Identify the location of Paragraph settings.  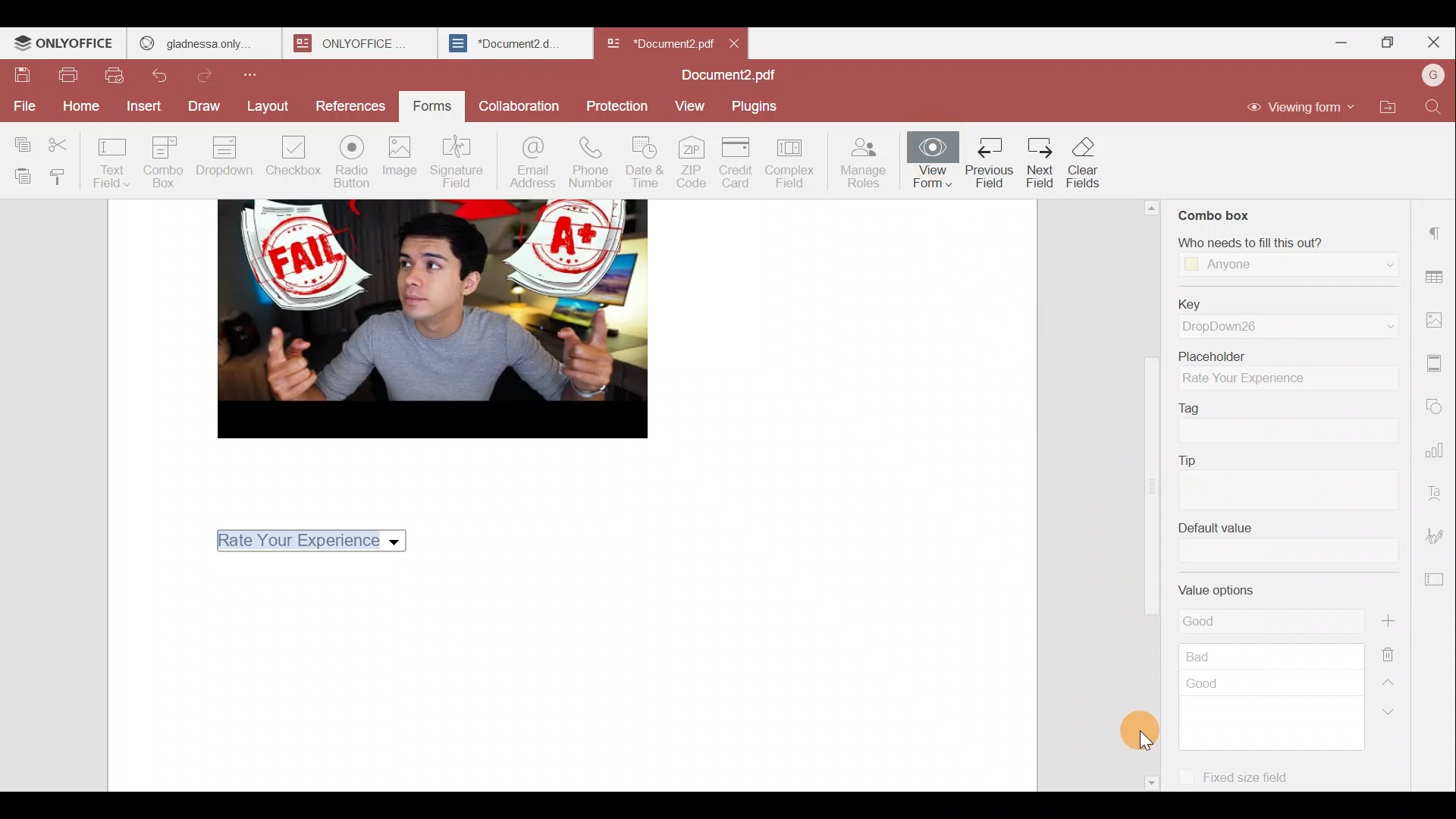
(1437, 229).